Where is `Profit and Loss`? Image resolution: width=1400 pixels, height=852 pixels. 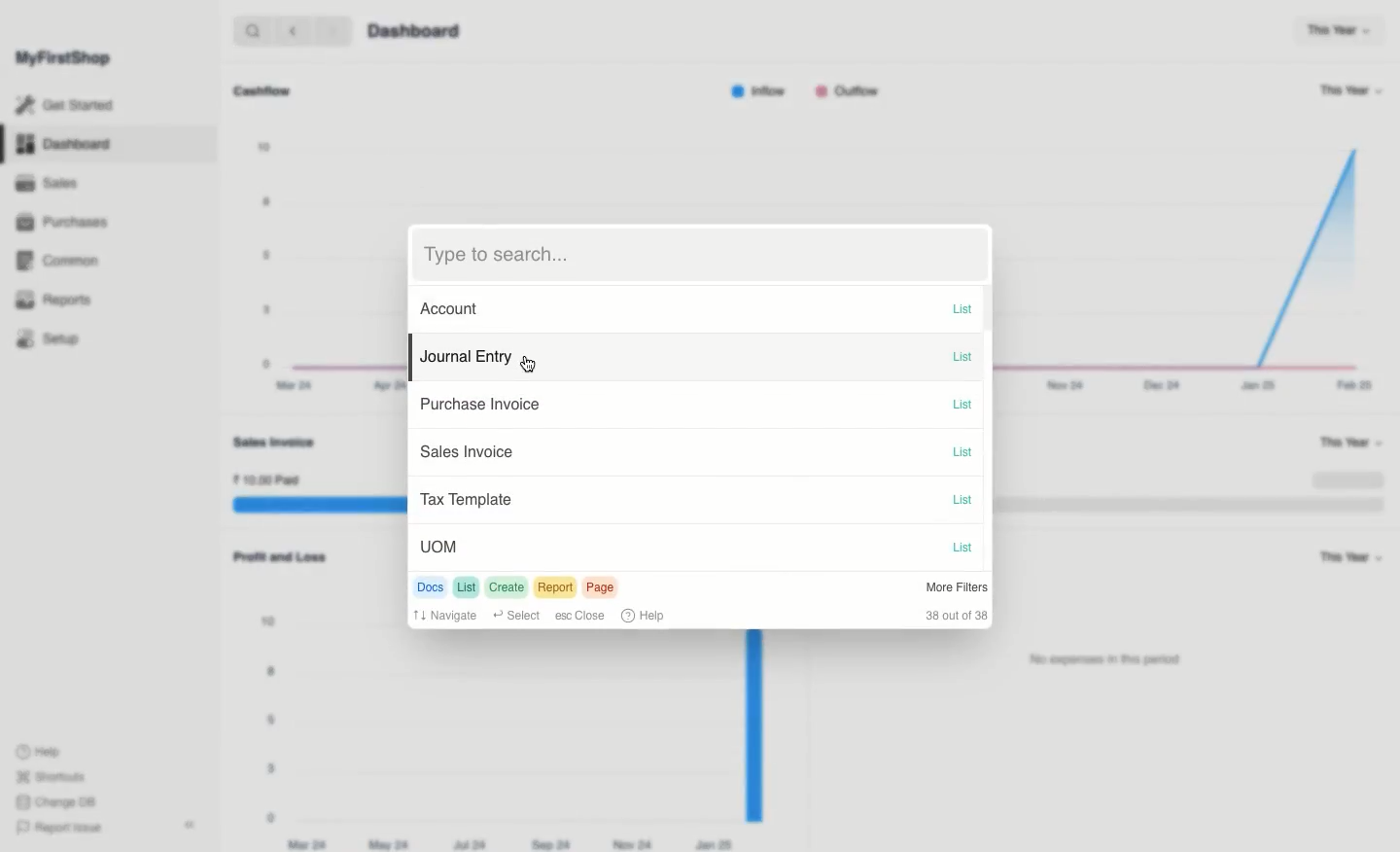
Profit and Loss is located at coordinates (280, 558).